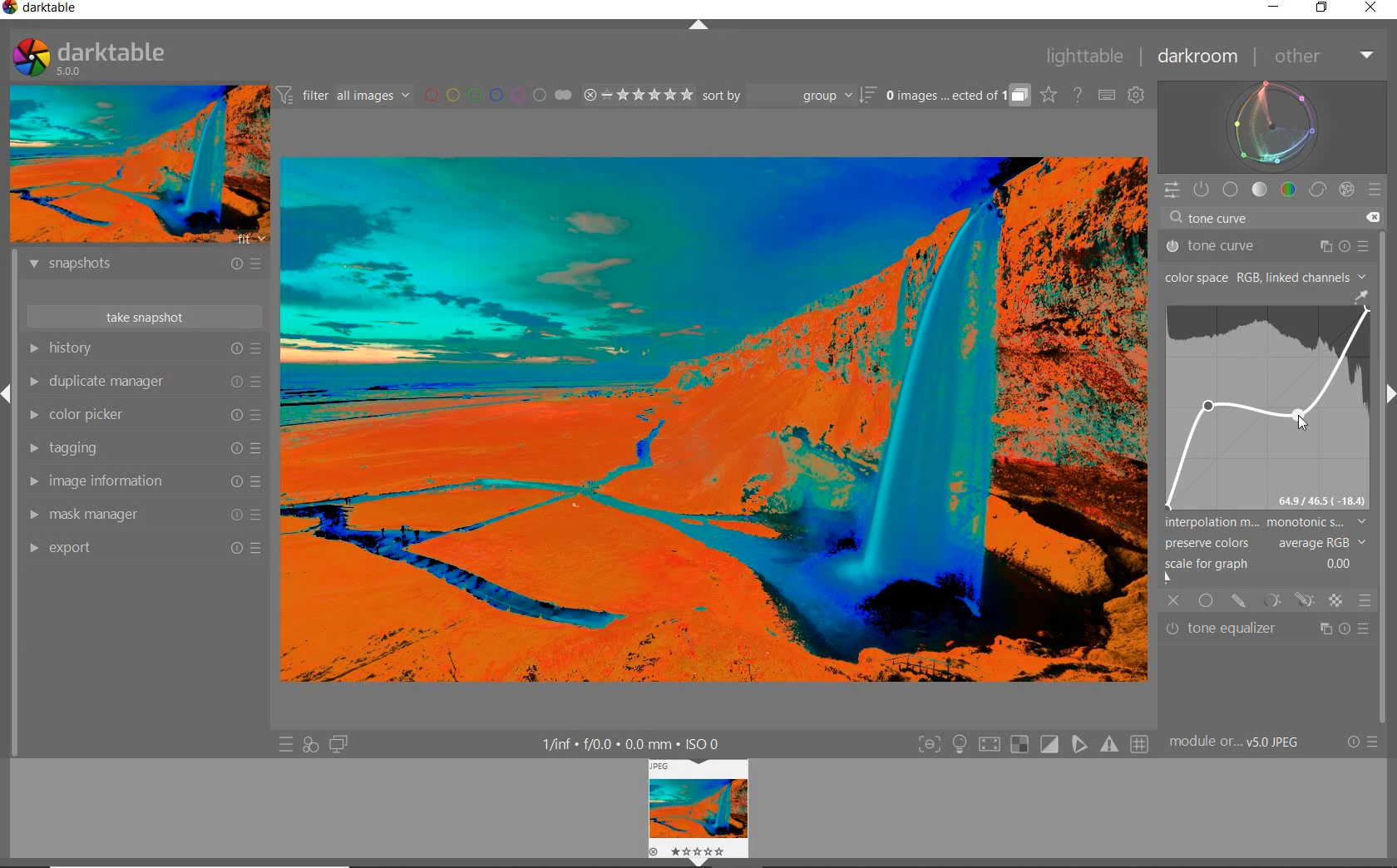 This screenshot has width=1397, height=868. I want to click on color, so click(1287, 190).